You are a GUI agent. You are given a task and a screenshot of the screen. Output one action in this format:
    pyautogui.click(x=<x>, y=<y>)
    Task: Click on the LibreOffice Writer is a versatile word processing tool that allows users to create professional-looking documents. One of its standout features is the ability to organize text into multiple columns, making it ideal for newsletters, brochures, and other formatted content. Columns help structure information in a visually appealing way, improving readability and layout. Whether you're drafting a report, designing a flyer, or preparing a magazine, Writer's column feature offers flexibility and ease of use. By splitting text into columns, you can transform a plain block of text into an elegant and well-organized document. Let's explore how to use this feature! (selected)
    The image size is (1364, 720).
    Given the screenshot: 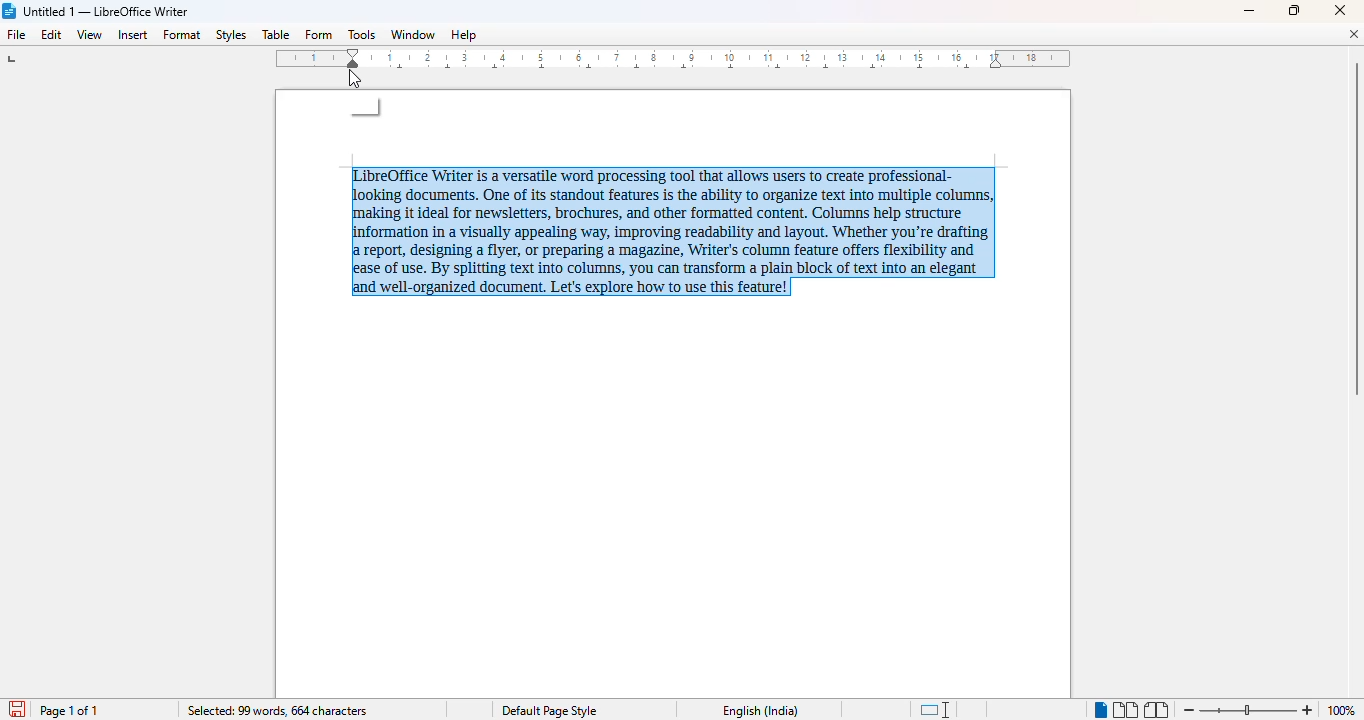 What is the action you would take?
    pyautogui.click(x=652, y=228)
    